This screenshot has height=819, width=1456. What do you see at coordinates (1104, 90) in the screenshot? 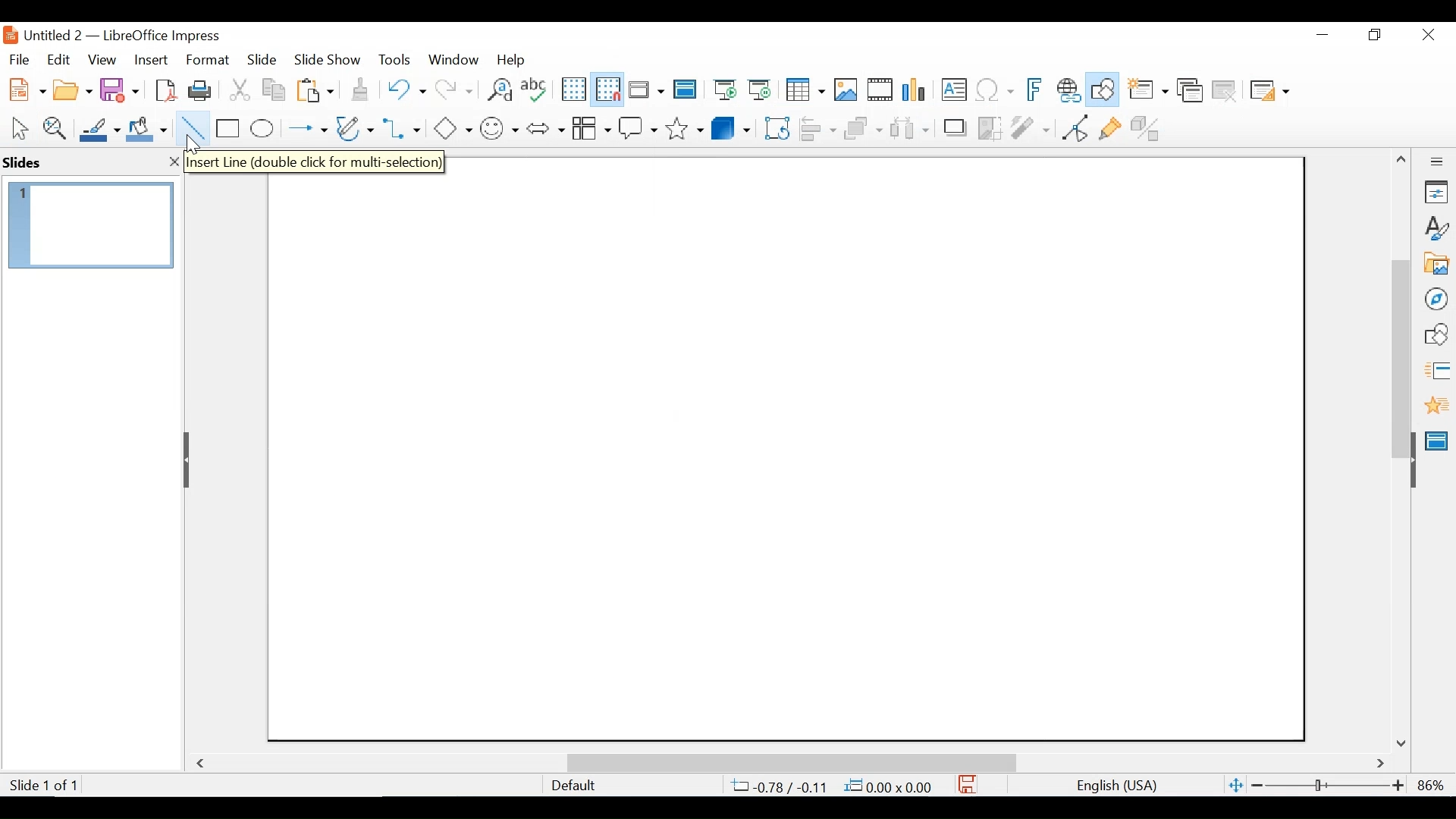
I see `Show Draw Functions` at bounding box center [1104, 90].